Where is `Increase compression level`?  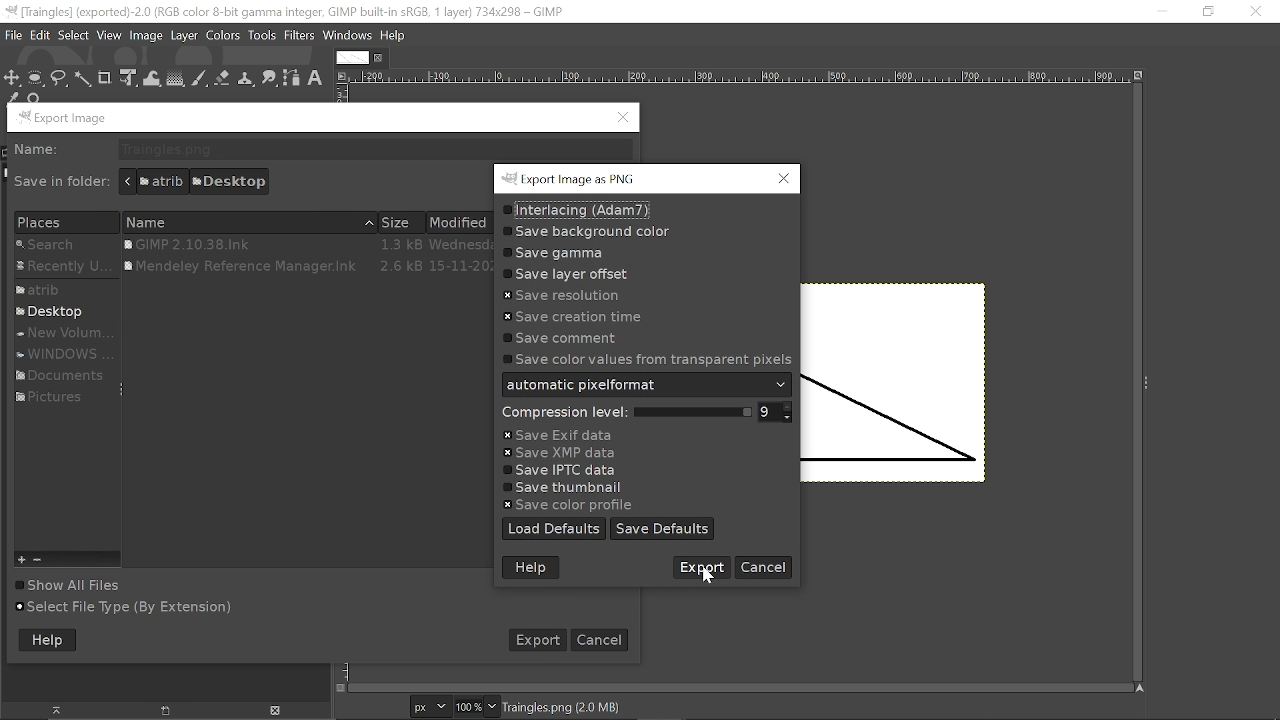
Increase compression level is located at coordinates (790, 408).